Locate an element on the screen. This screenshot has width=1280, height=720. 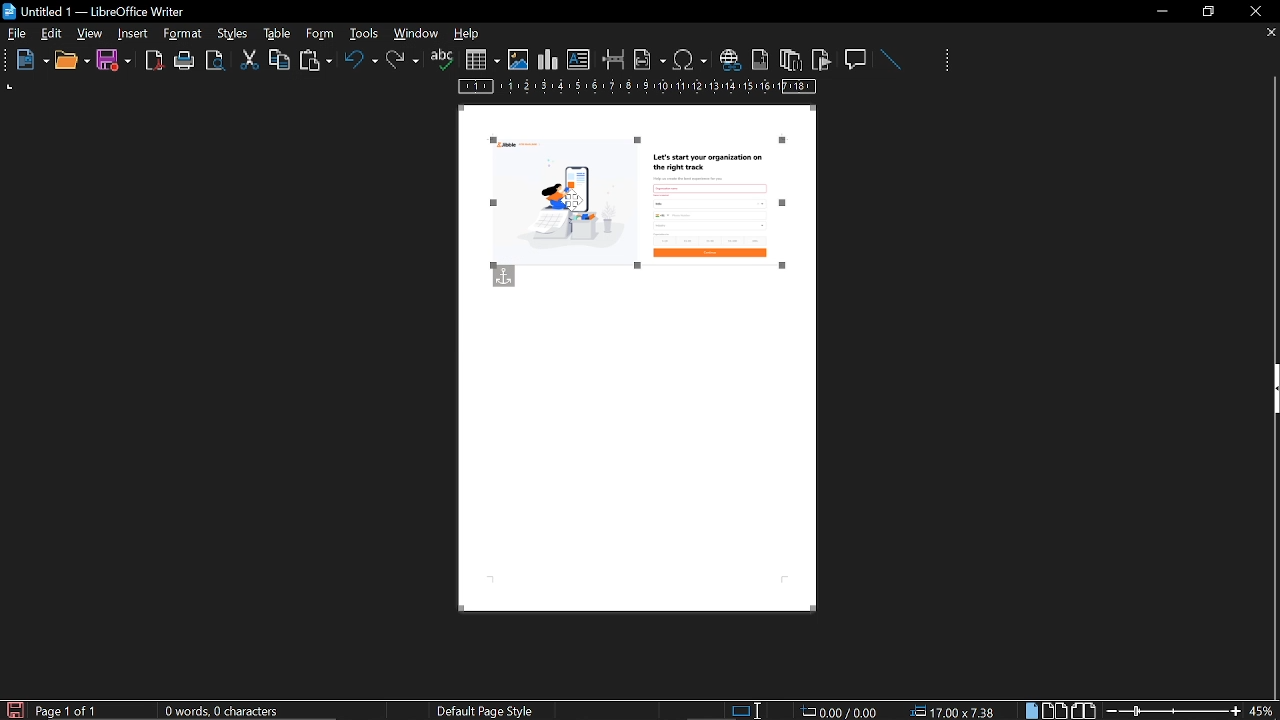
line is located at coordinates (890, 60).